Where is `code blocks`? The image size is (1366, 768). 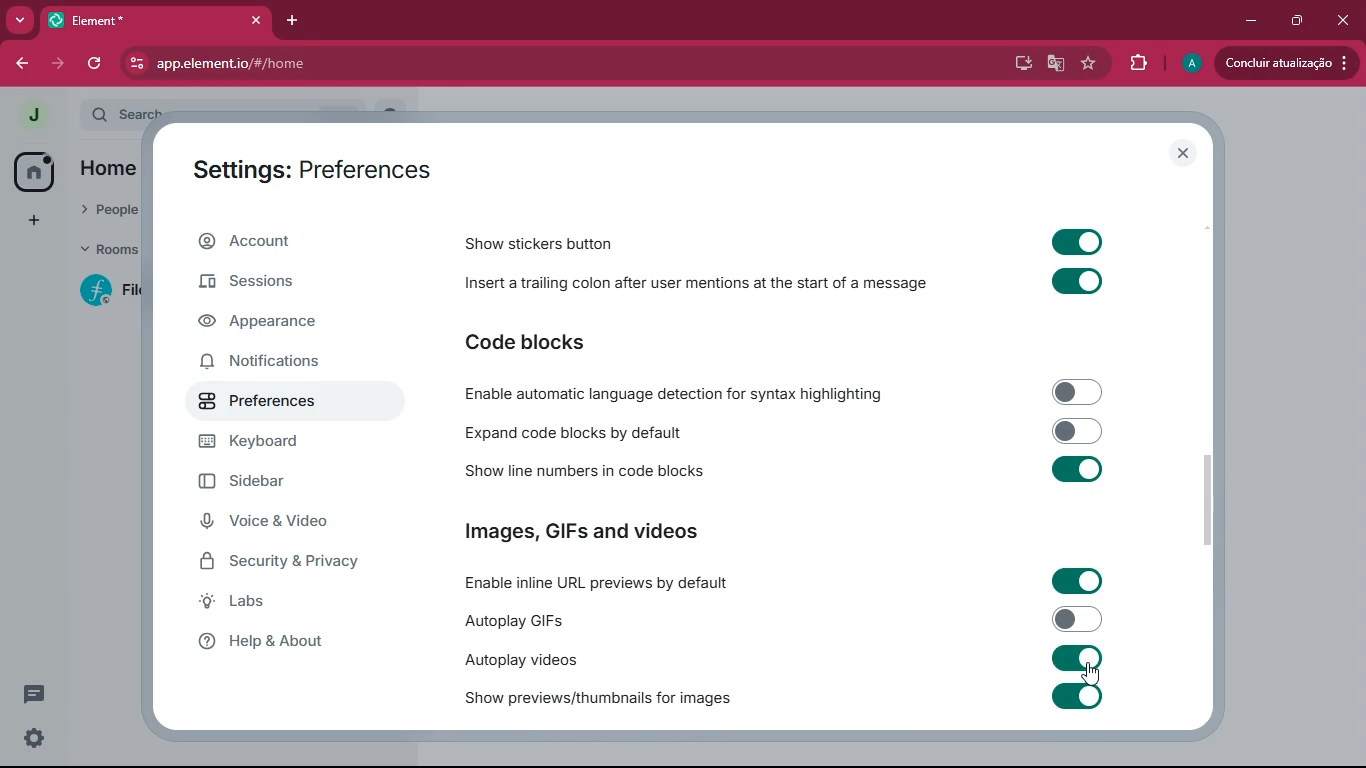 code blocks is located at coordinates (526, 341).